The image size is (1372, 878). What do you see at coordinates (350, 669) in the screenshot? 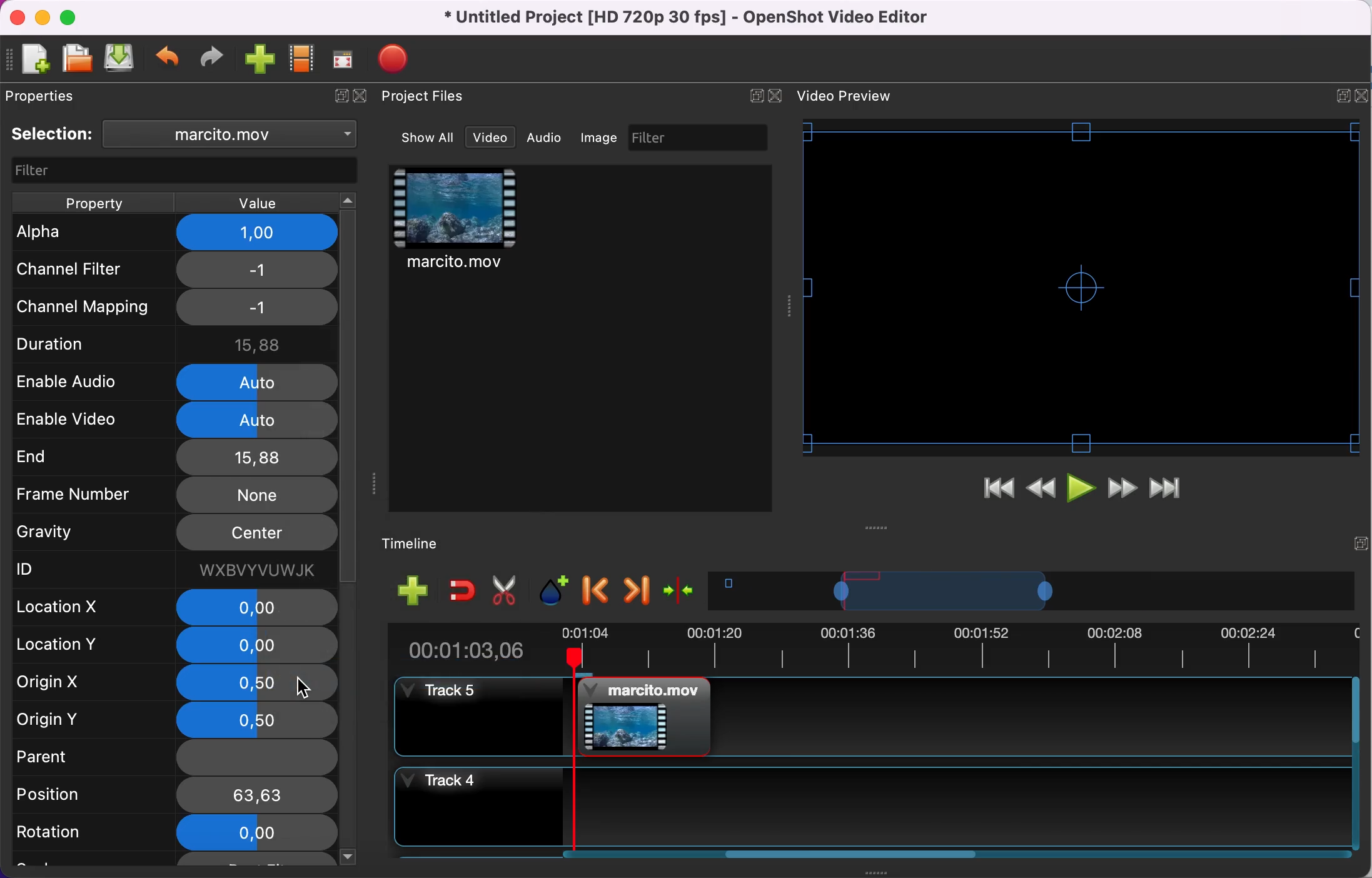
I see `vertical scroll bar` at bounding box center [350, 669].